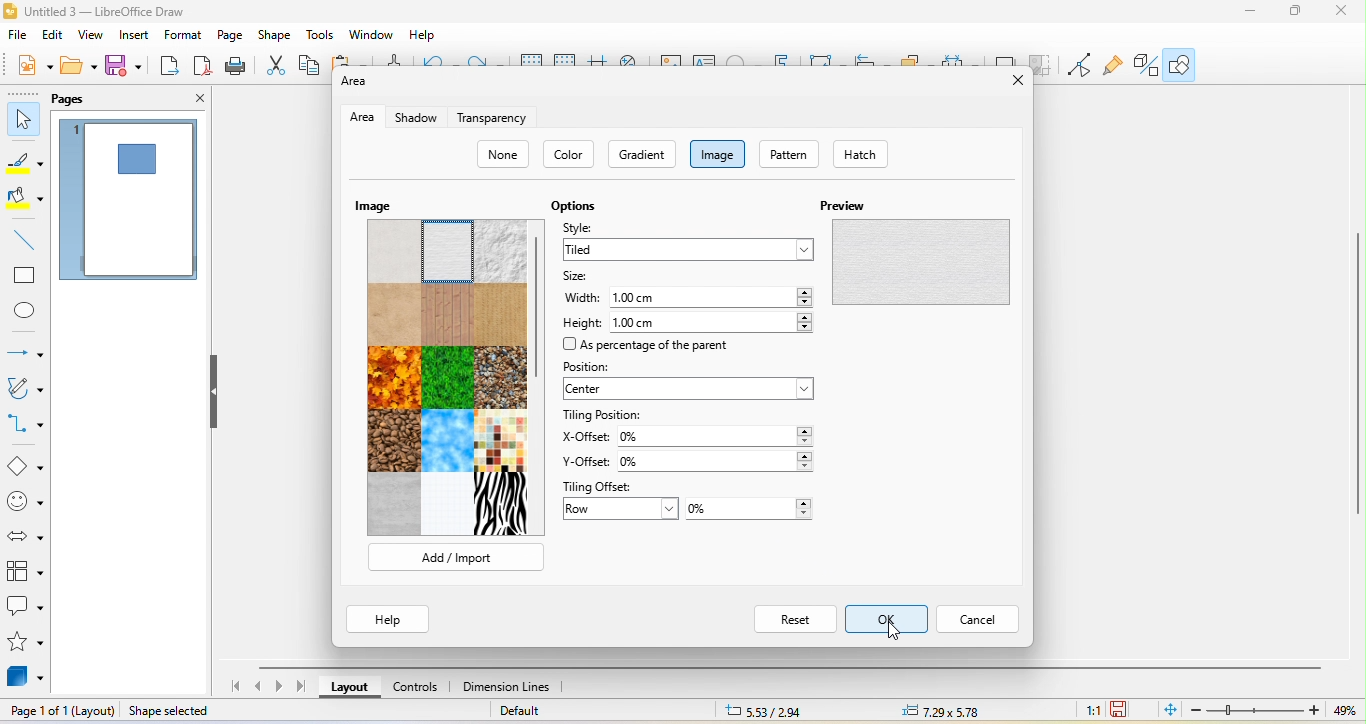  I want to click on hide, so click(216, 400).